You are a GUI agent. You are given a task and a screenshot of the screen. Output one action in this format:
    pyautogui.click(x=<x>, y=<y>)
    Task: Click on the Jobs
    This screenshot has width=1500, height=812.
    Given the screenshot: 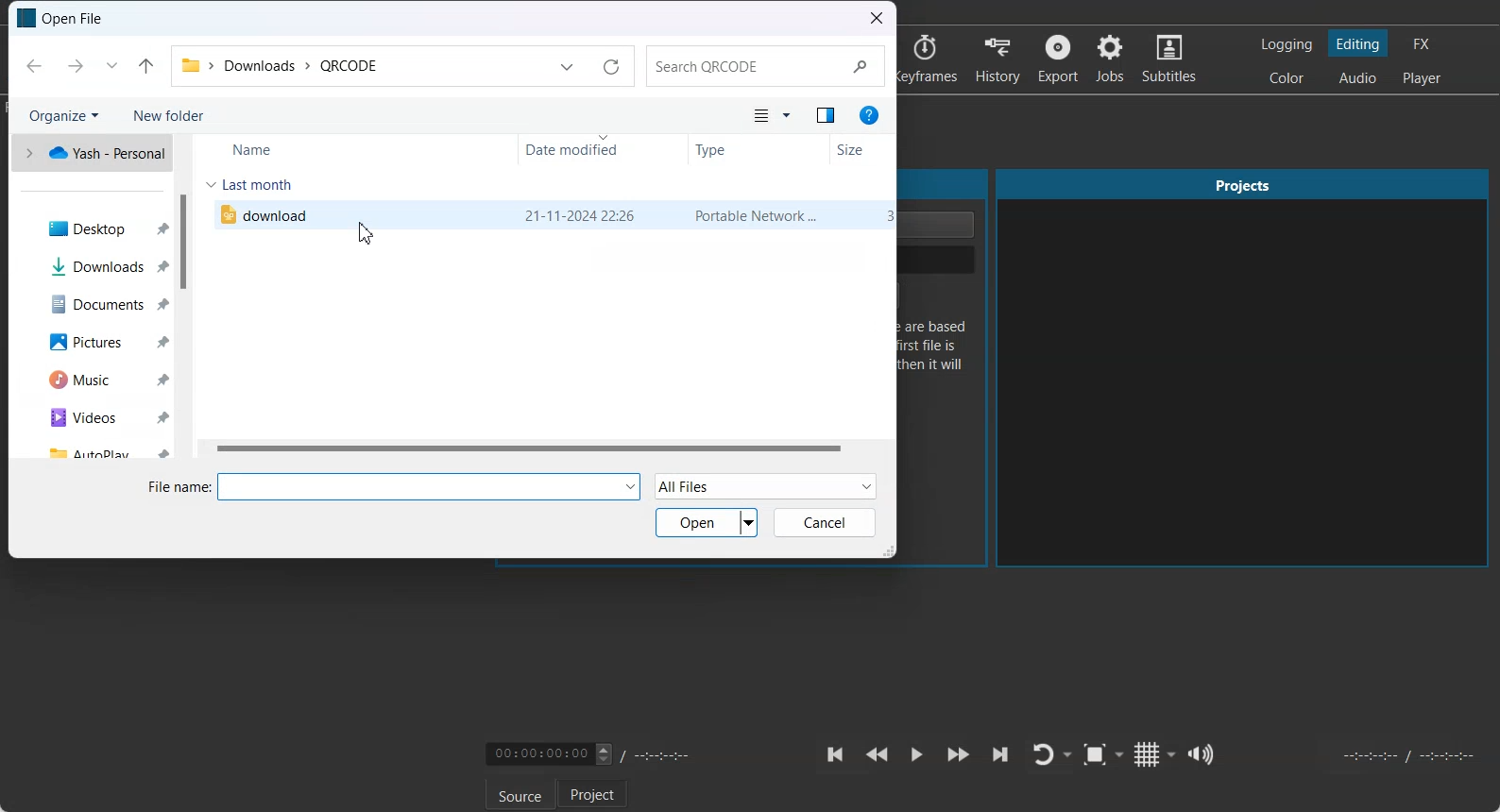 What is the action you would take?
    pyautogui.click(x=1112, y=59)
    